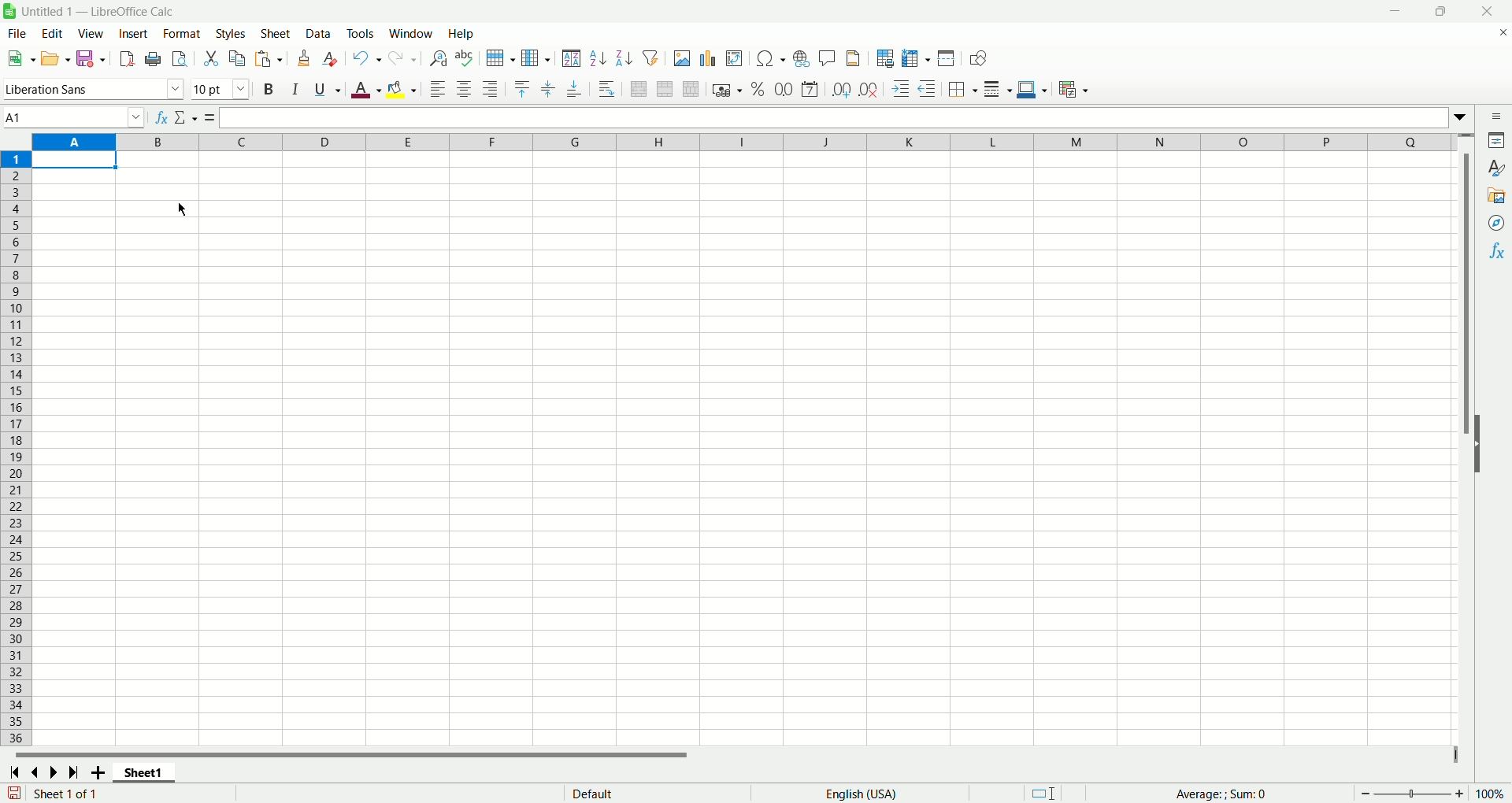 The image size is (1512, 803). Describe the element at coordinates (1032, 91) in the screenshot. I see `border color` at that location.